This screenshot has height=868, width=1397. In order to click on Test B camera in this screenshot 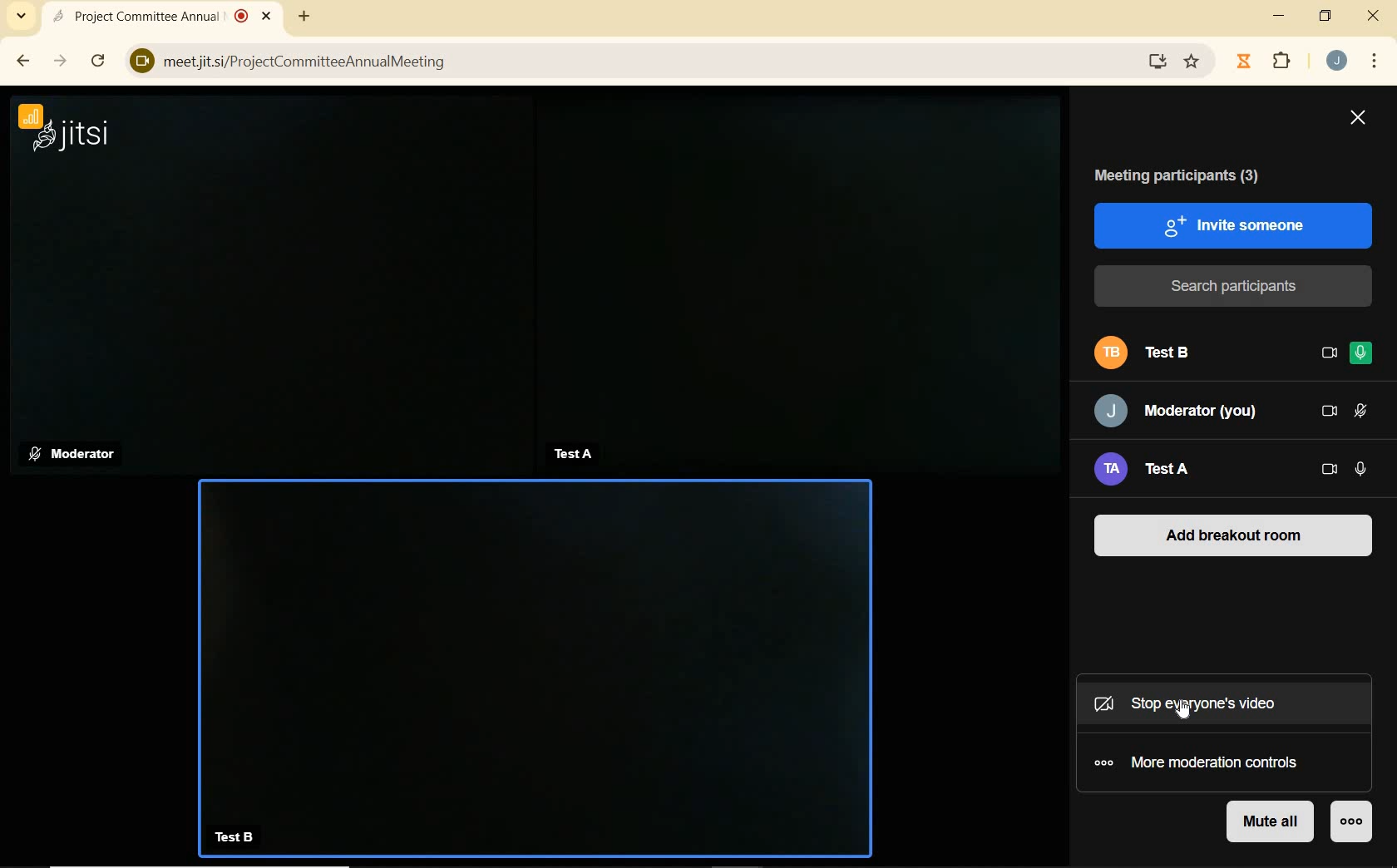, I will do `click(536, 647)`.